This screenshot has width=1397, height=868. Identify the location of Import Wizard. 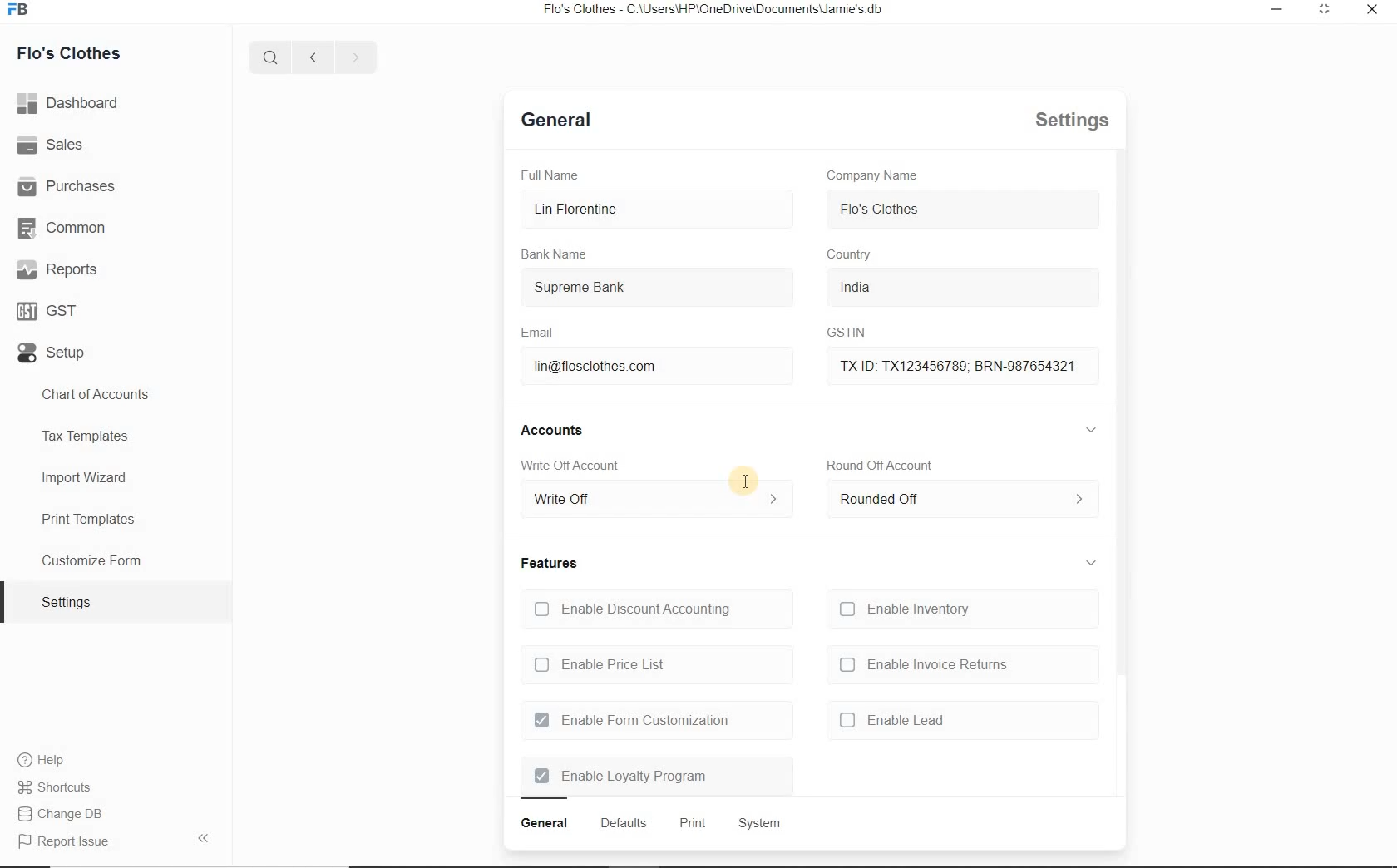
(86, 481).